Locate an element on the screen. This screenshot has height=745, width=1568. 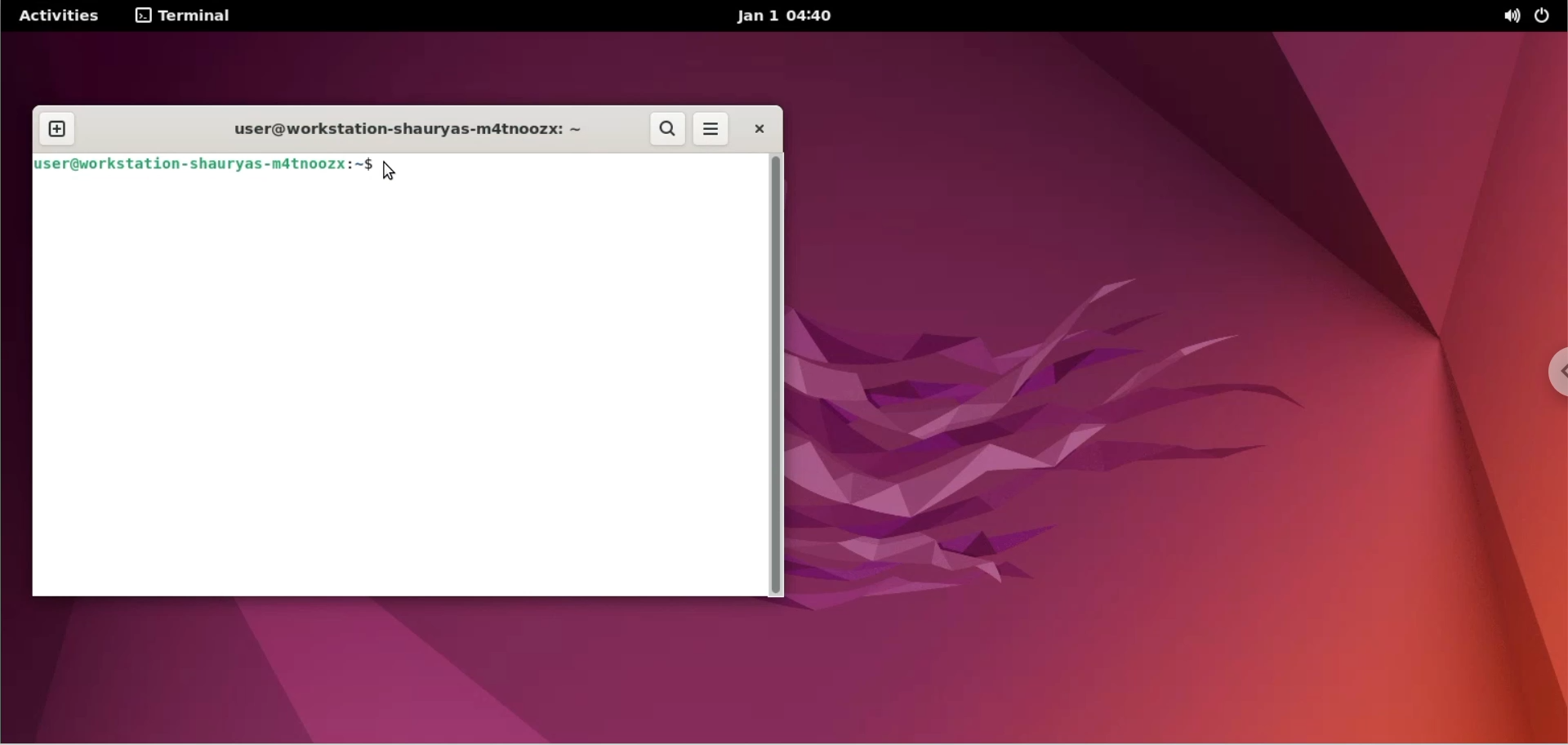
close is located at coordinates (759, 128).